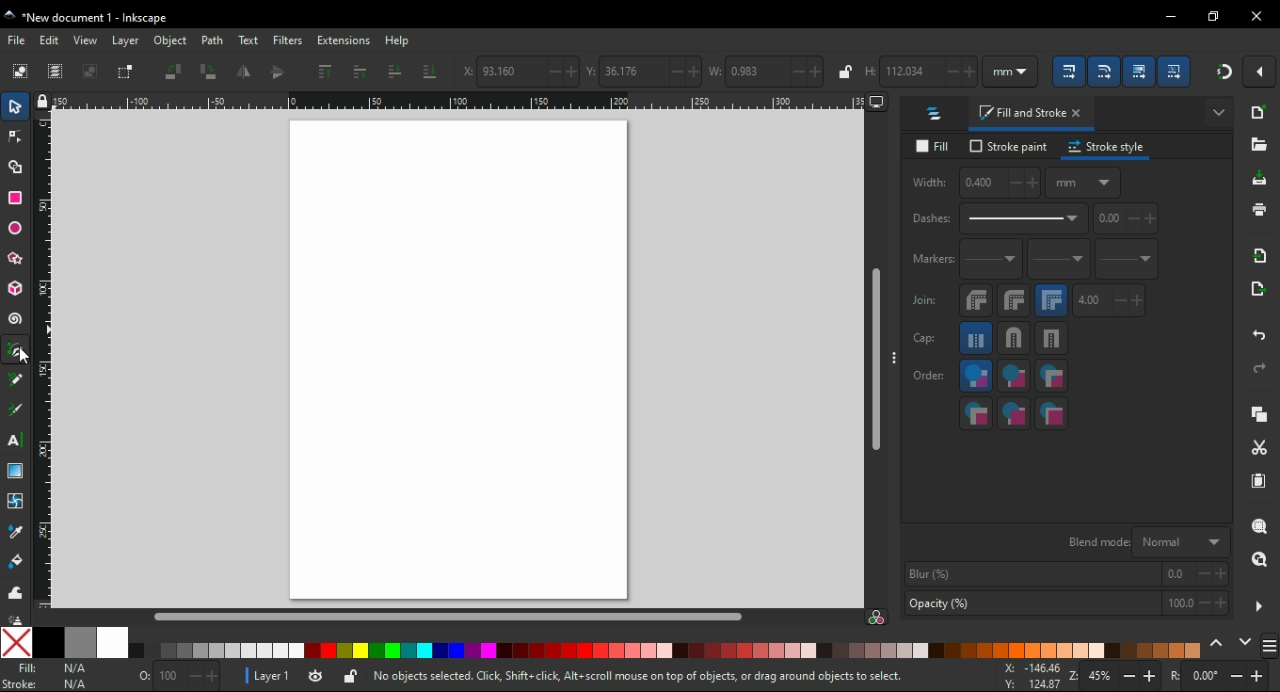 The height and width of the screenshot is (692, 1280). What do you see at coordinates (16, 379) in the screenshot?
I see `pencil` at bounding box center [16, 379].